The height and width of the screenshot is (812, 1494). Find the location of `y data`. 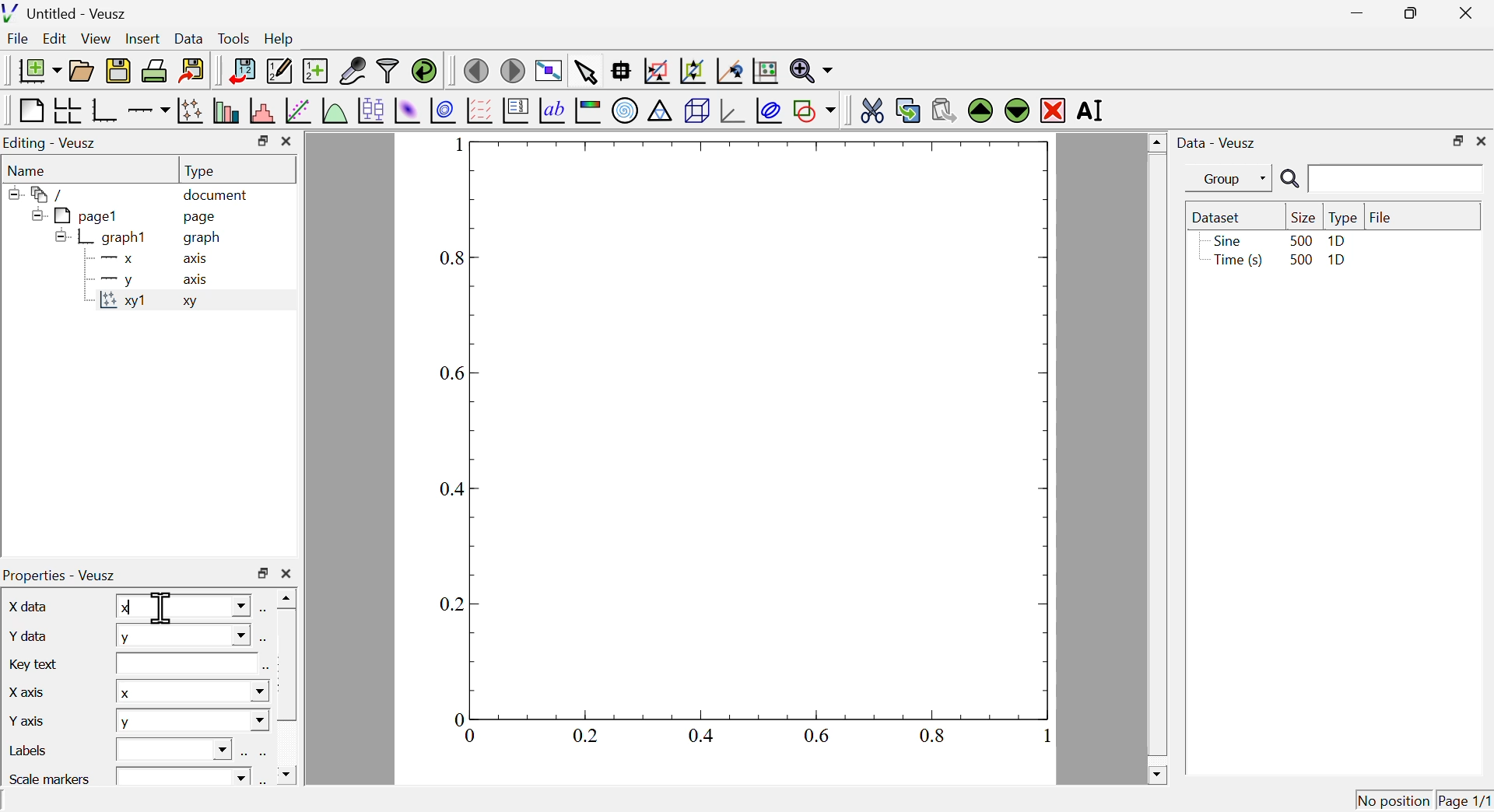

y data is located at coordinates (29, 635).